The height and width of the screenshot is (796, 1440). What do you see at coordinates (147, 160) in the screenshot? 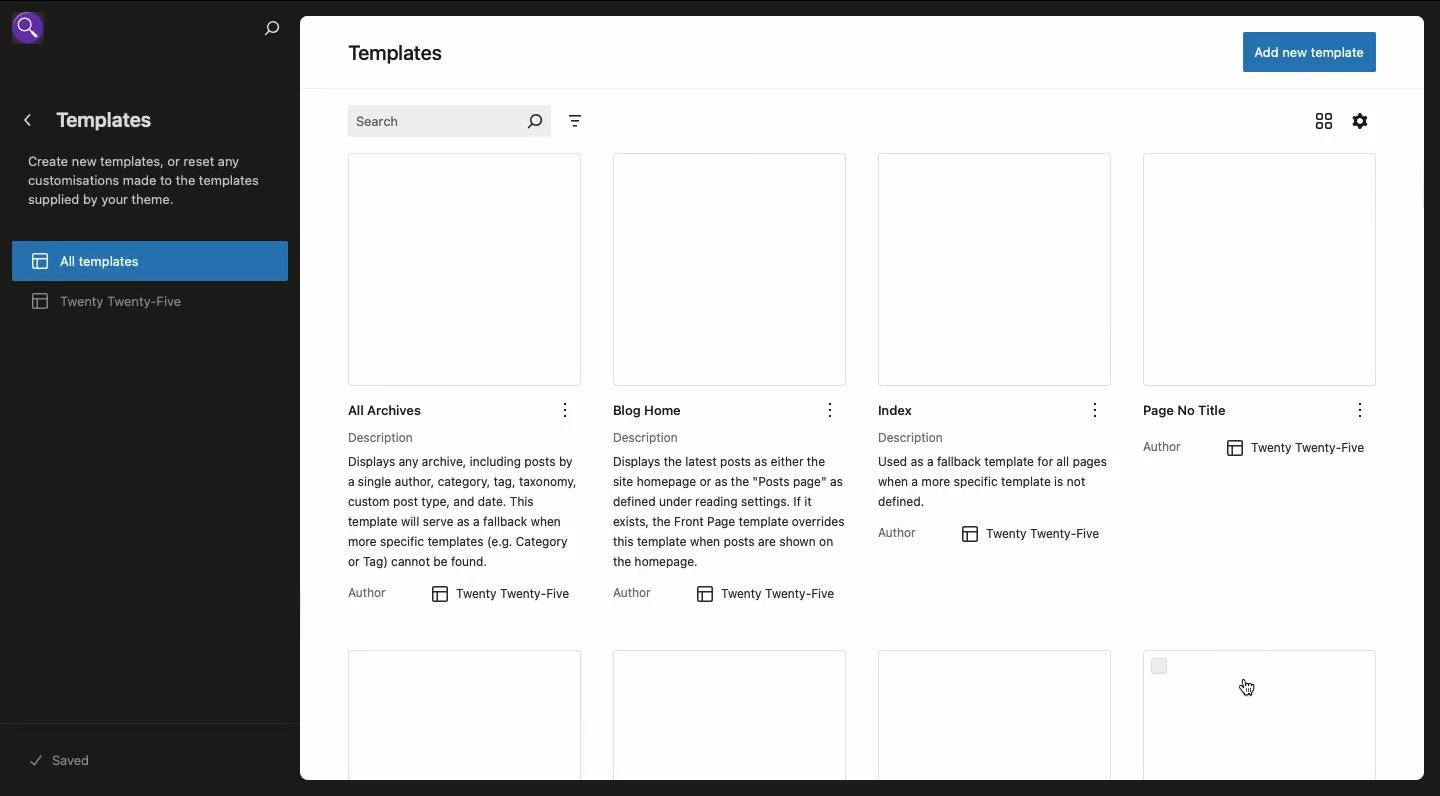
I see `< Templates

Create new templates, or reset any
‘customisations made to the templates
supplied by your theme.` at bounding box center [147, 160].